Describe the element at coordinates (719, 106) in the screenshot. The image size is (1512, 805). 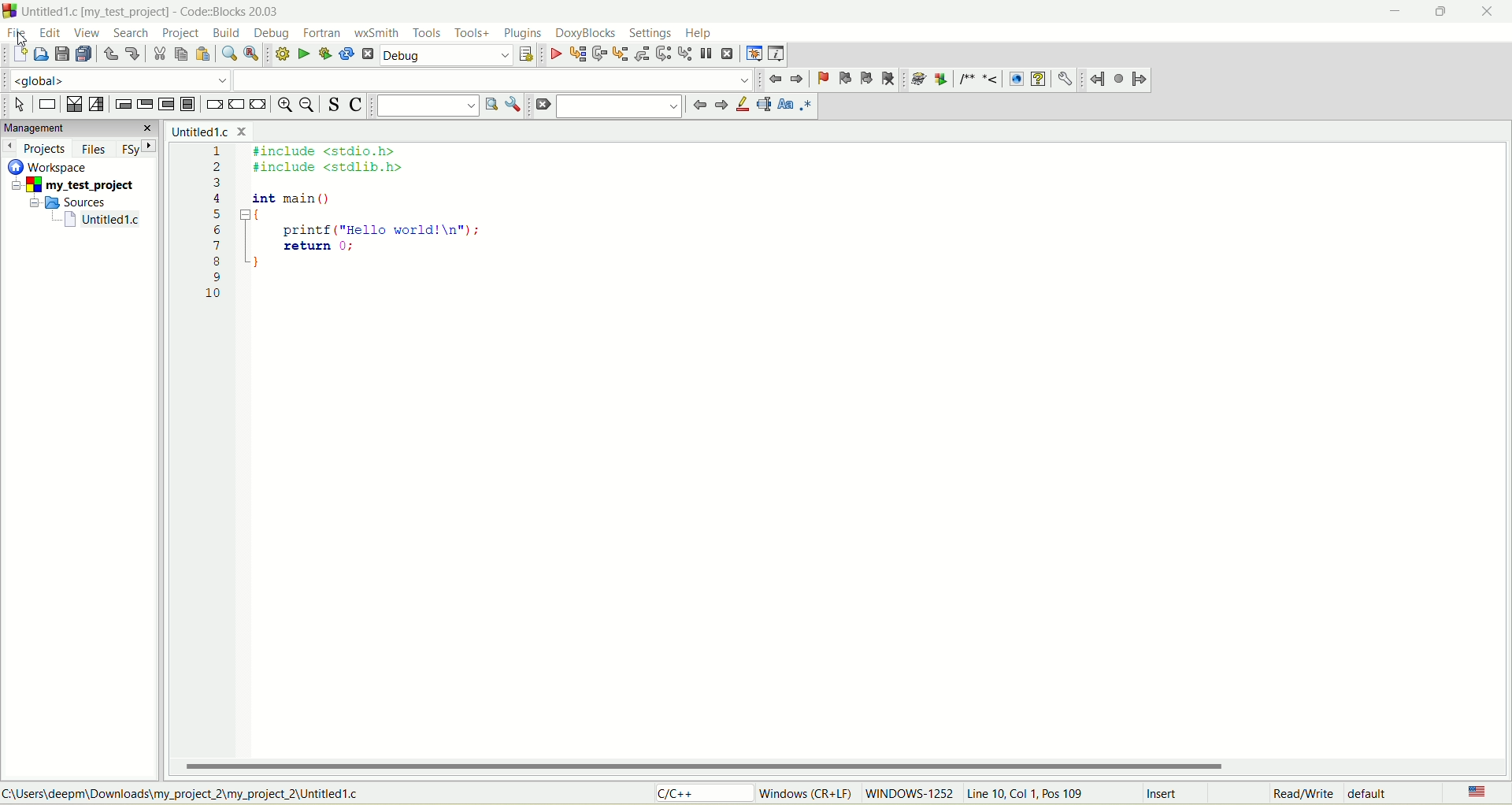
I see `jump forward` at that location.